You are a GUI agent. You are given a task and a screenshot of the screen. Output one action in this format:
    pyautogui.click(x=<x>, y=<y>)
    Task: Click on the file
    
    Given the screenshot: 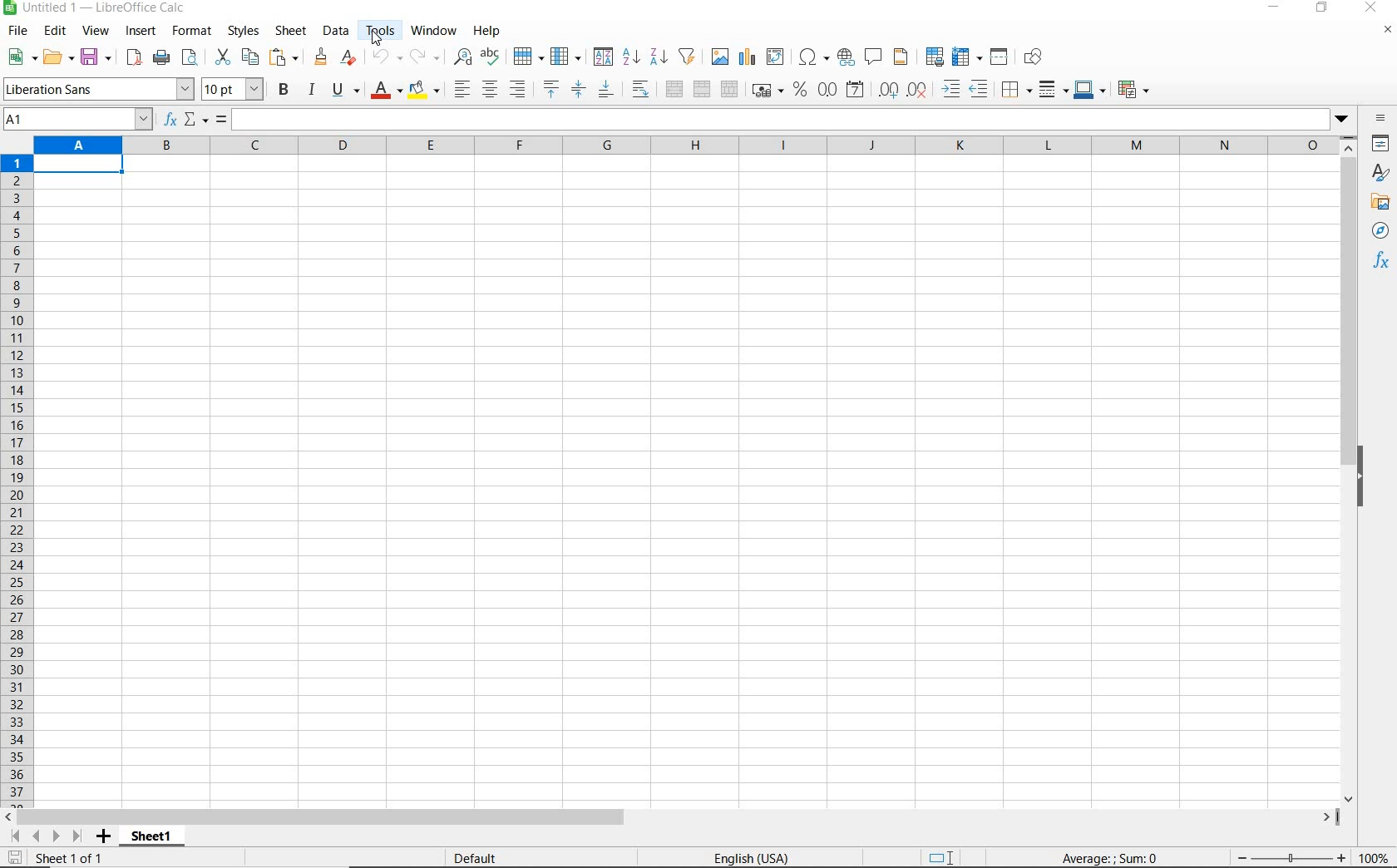 What is the action you would take?
    pyautogui.click(x=17, y=30)
    